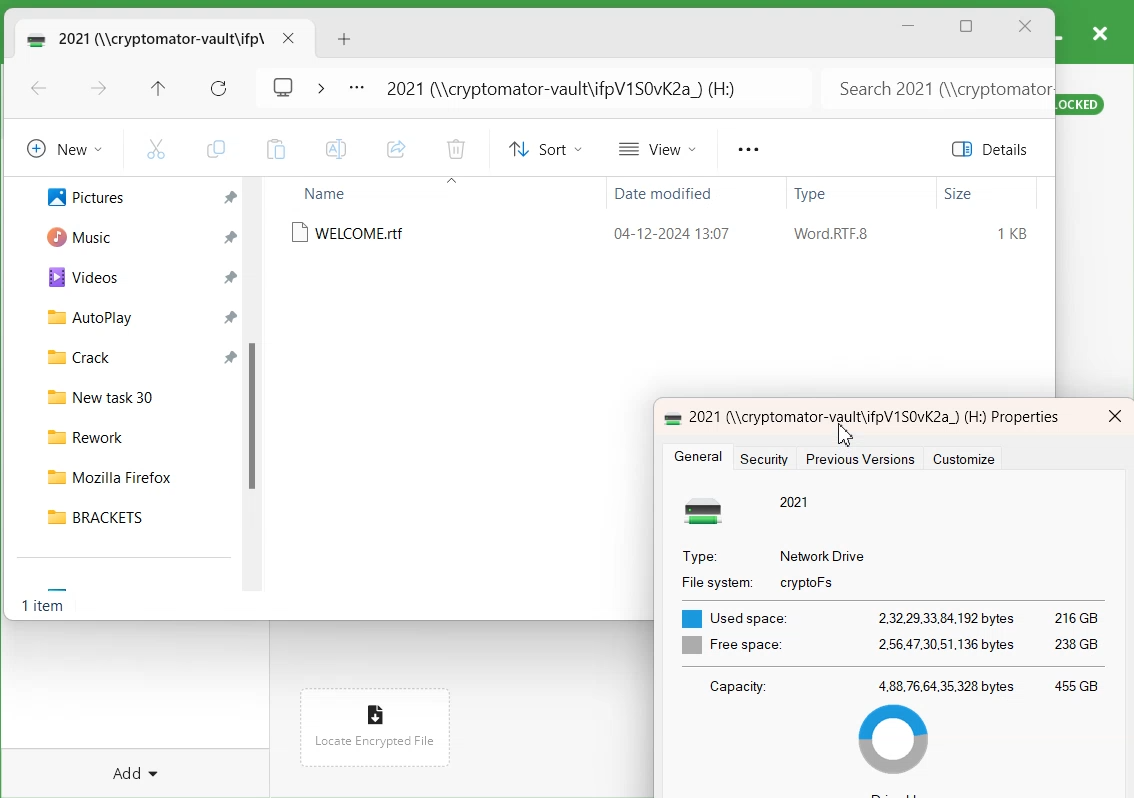 This screenshot has height=798, width=1134. Describe the element at coordinates (568, 88) in the screenshot. I see `Path Address` at that location.